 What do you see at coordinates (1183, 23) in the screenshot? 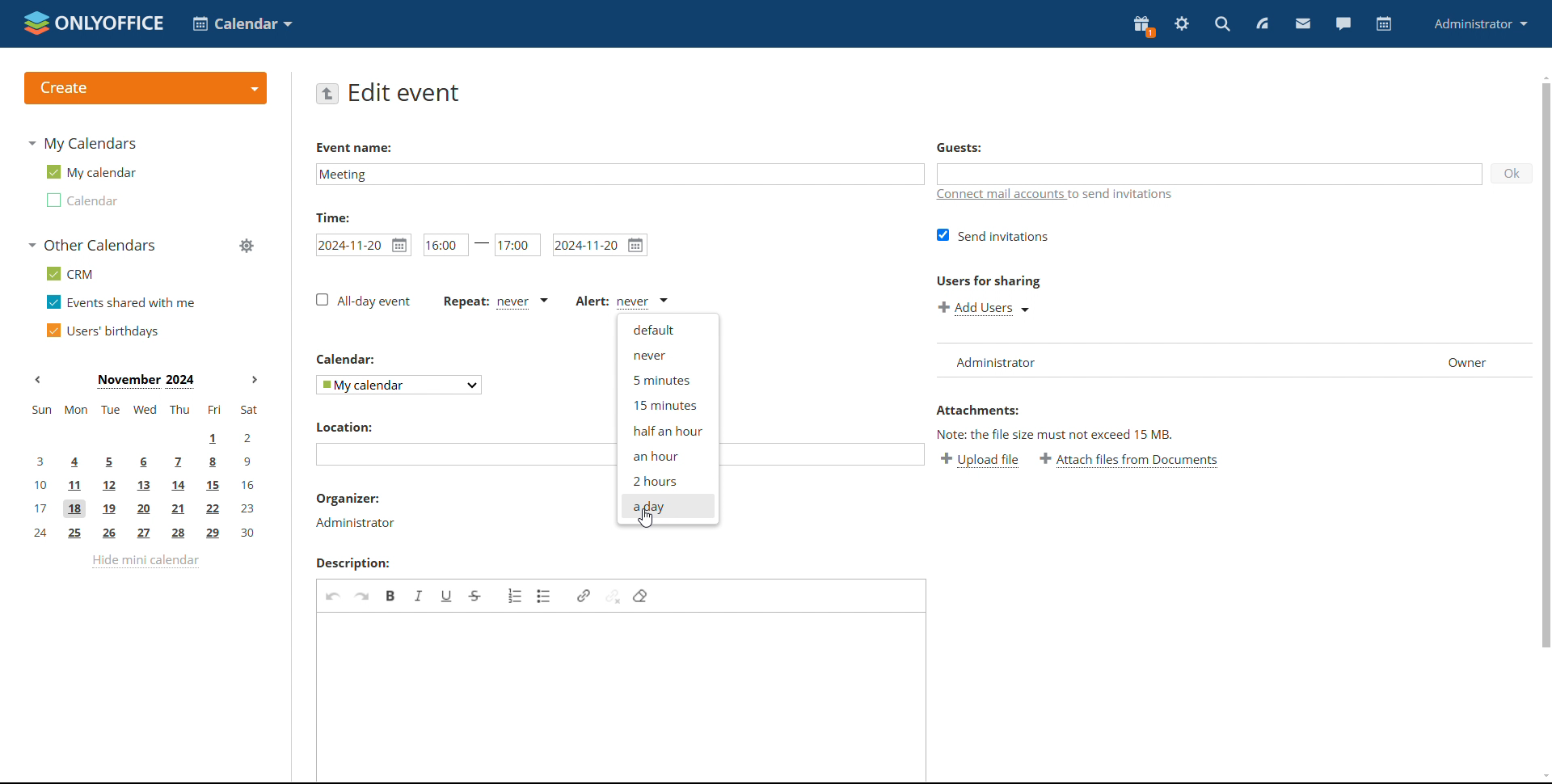
I see `settings` at bounding box center [1183, 23].